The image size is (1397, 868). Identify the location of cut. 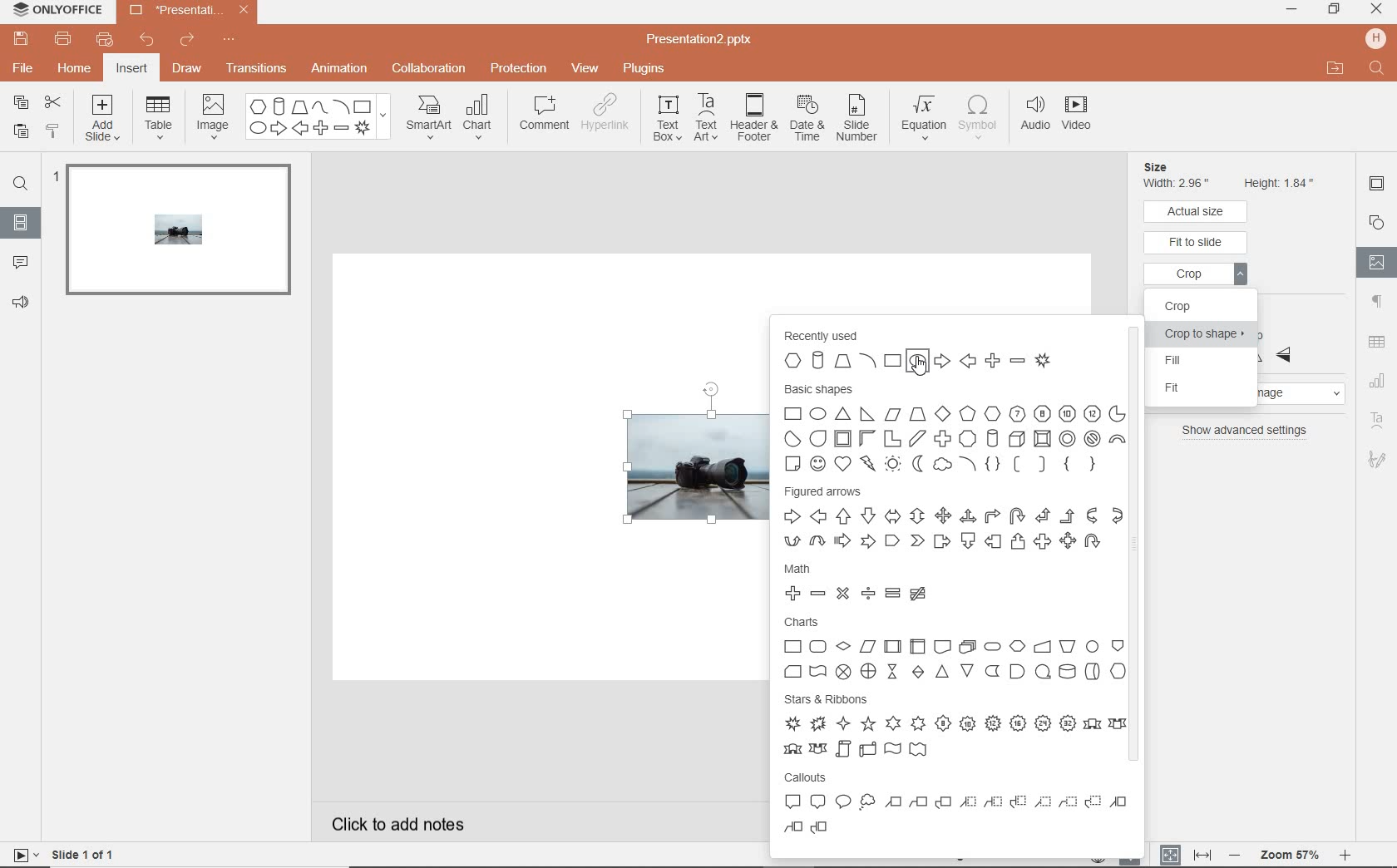
(54, 101).